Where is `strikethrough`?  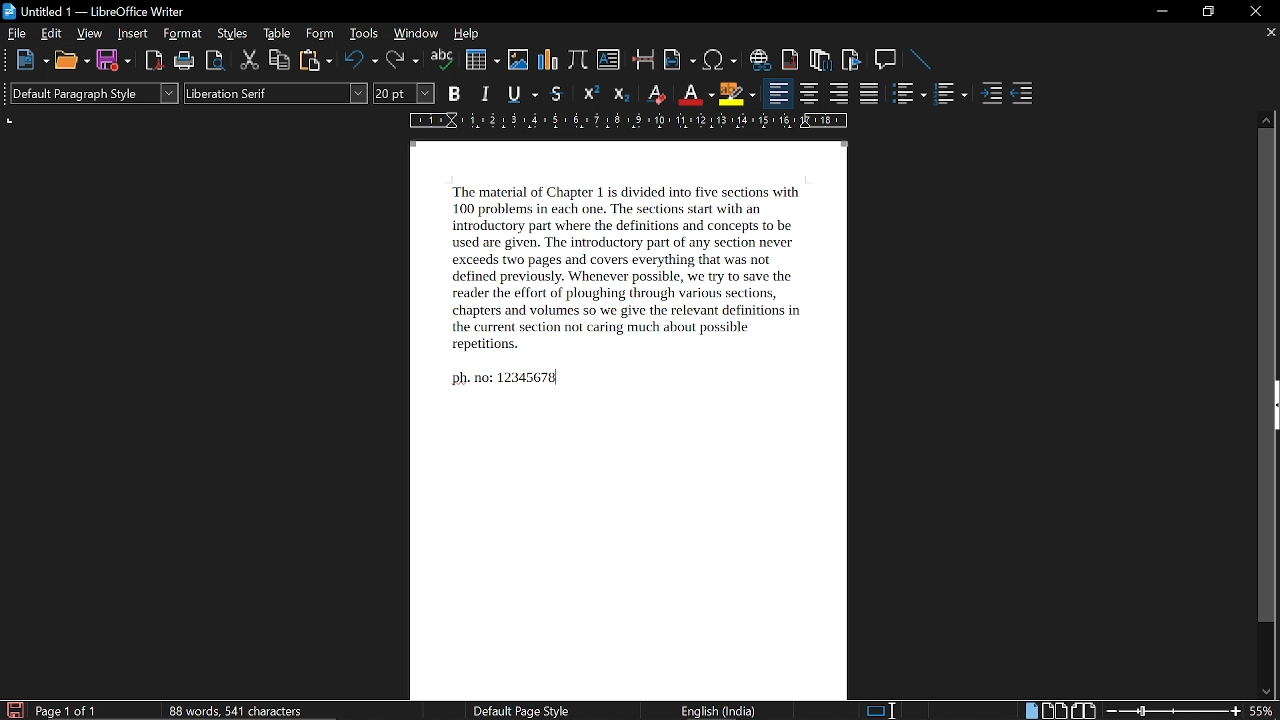 strikethrough is located at coordinates (556, 94).